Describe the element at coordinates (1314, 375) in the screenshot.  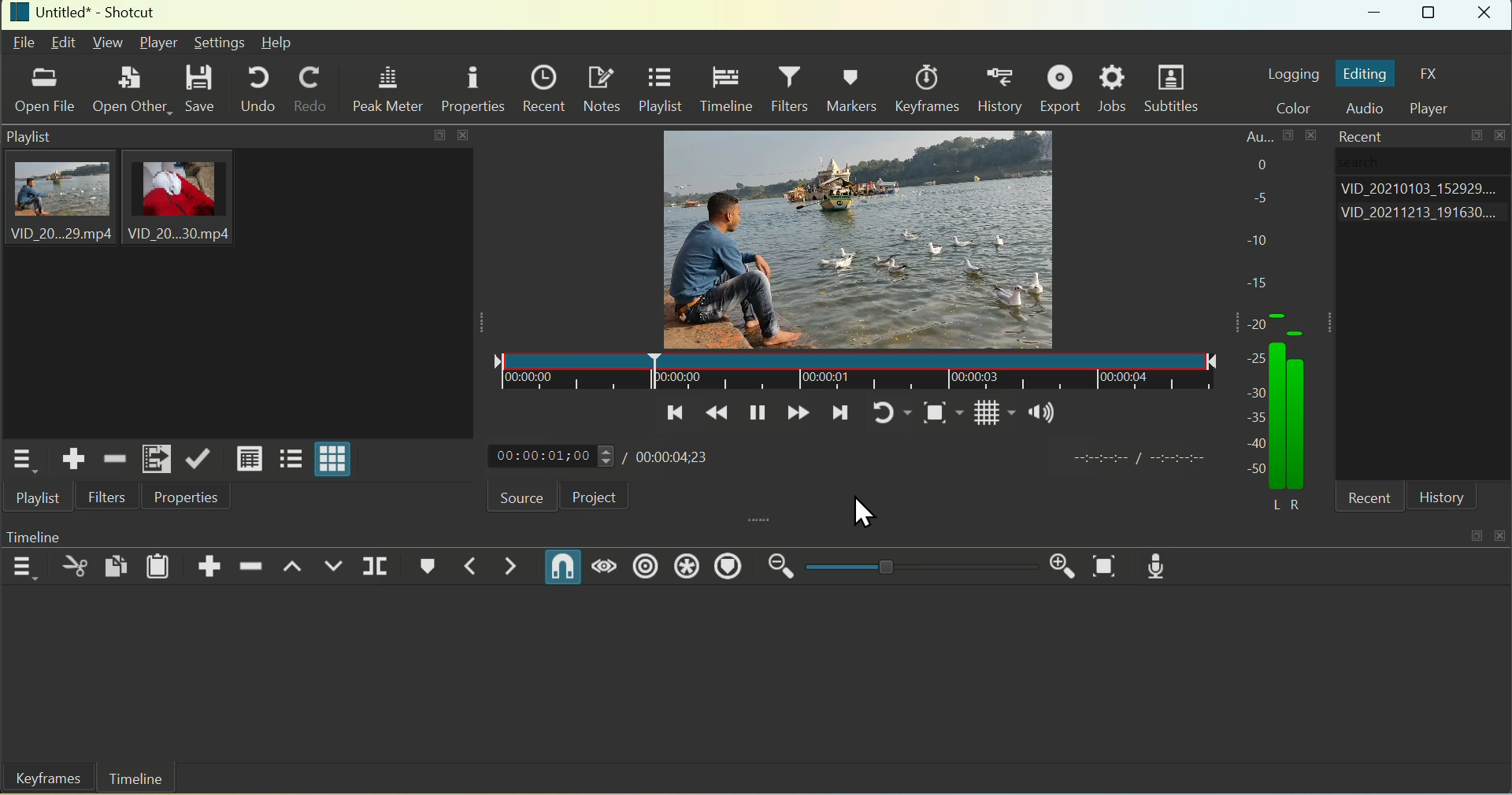
I see `Audio bar` at that location.